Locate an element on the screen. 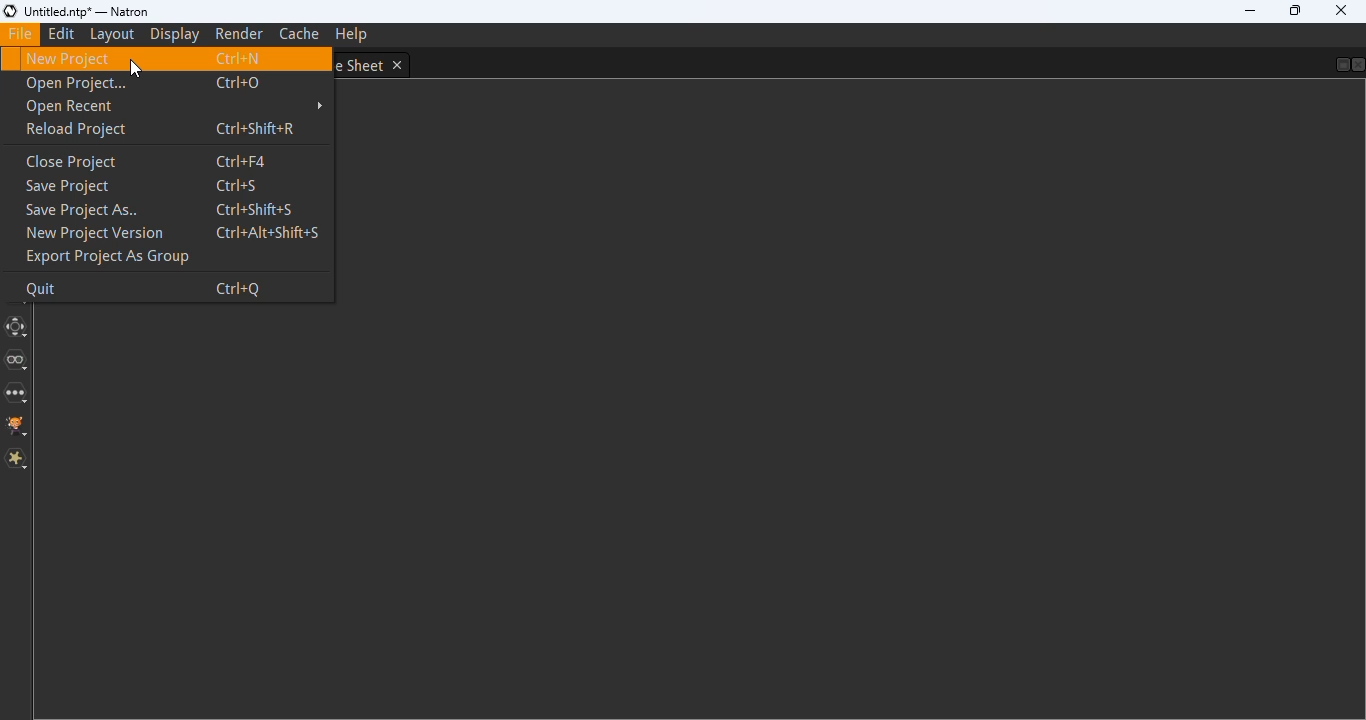 The height and width of the screenshot is (720, 1366). new project version is located at coordinates (174, 235).